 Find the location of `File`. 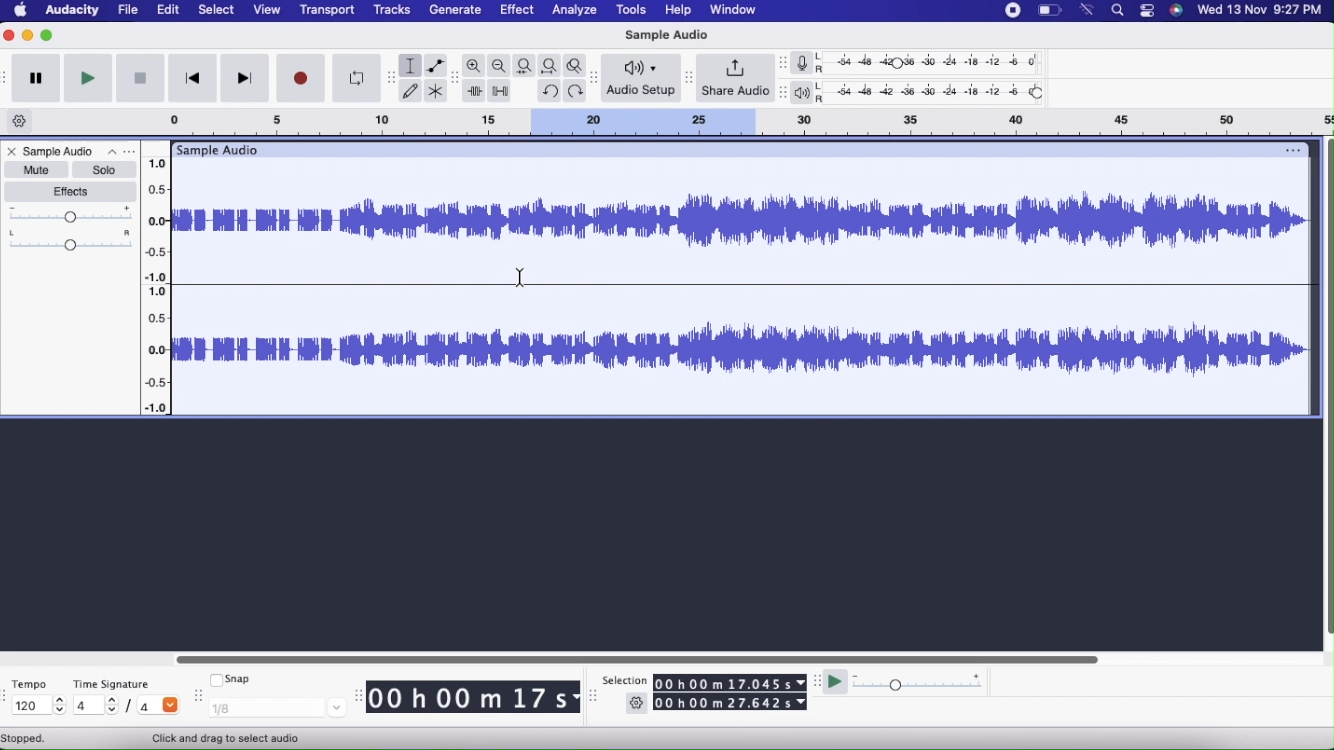

File is located at coordinates (125, 9).